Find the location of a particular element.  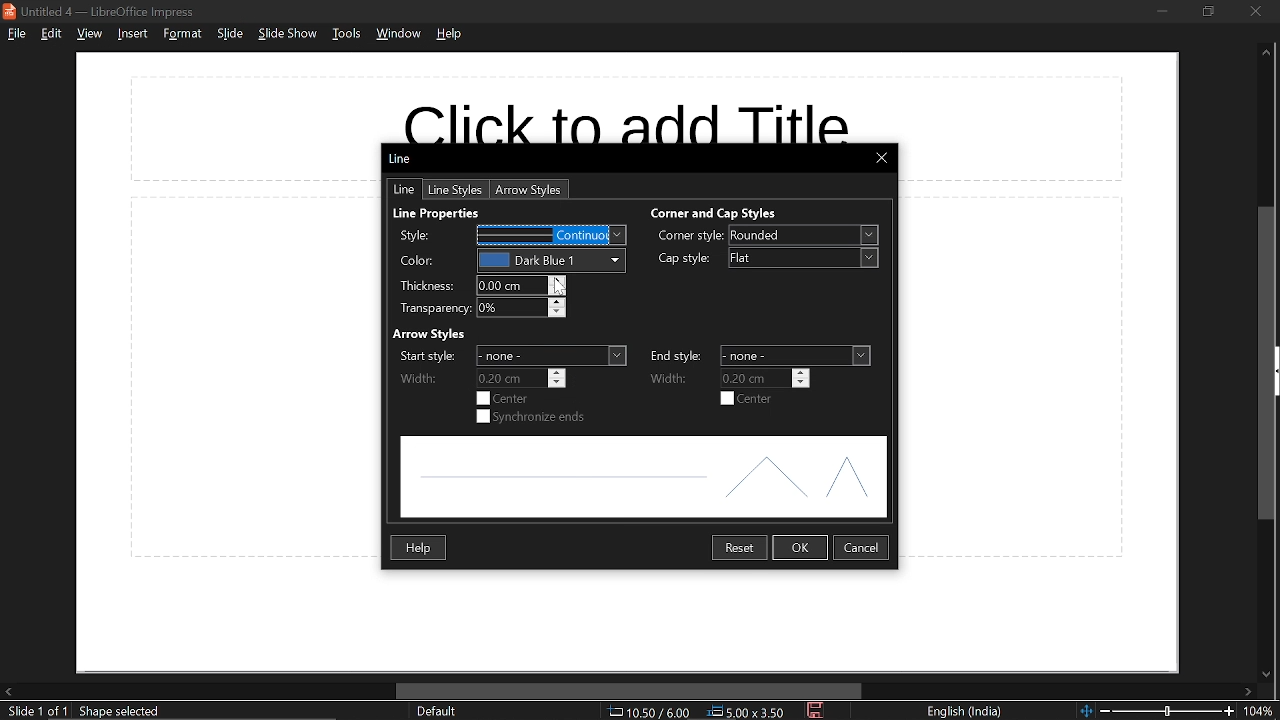

end width is located at coordinates (766, 379).